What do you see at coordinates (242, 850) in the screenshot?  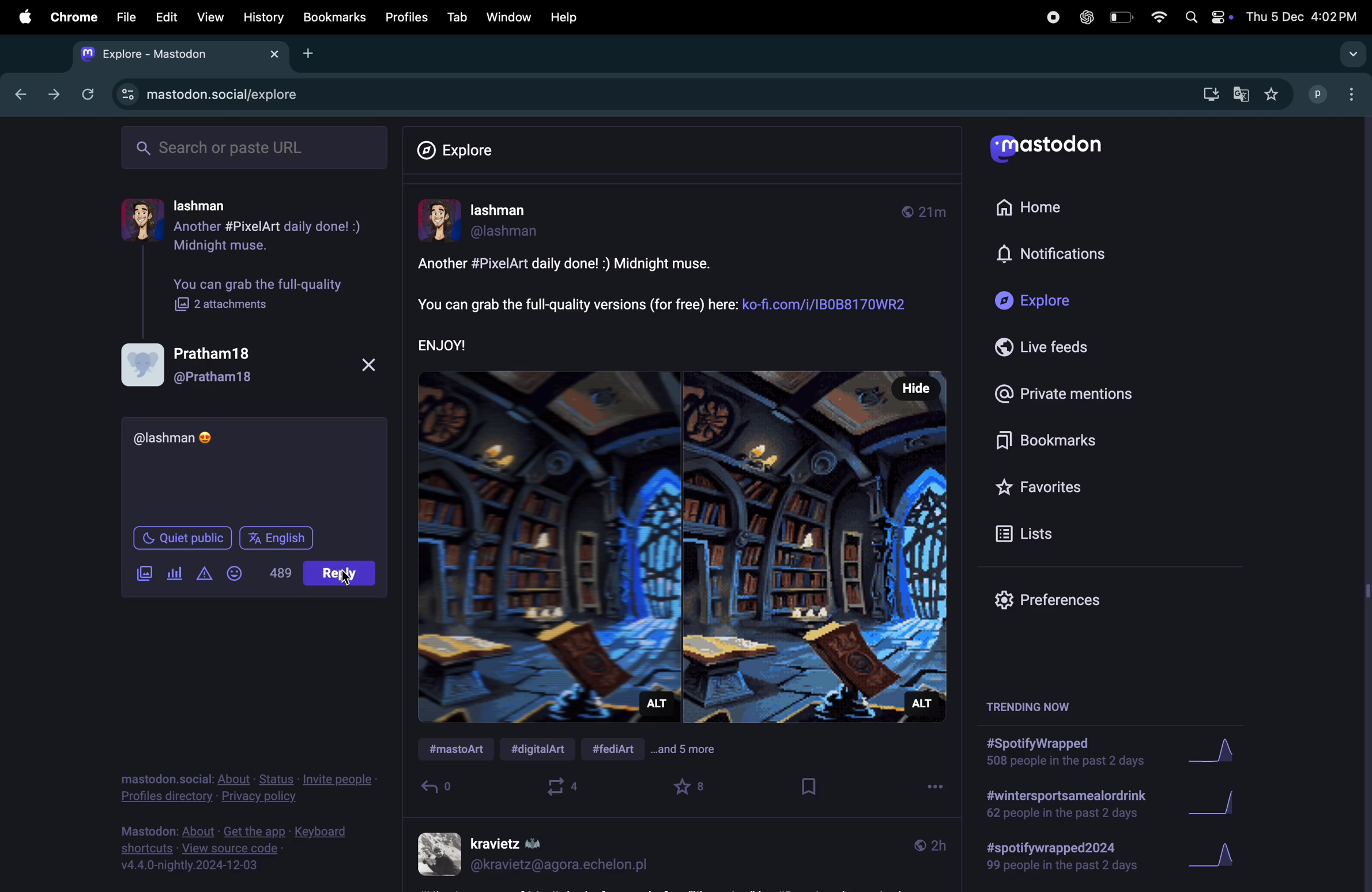 I see `view source code` at bounding box center [242, 850].